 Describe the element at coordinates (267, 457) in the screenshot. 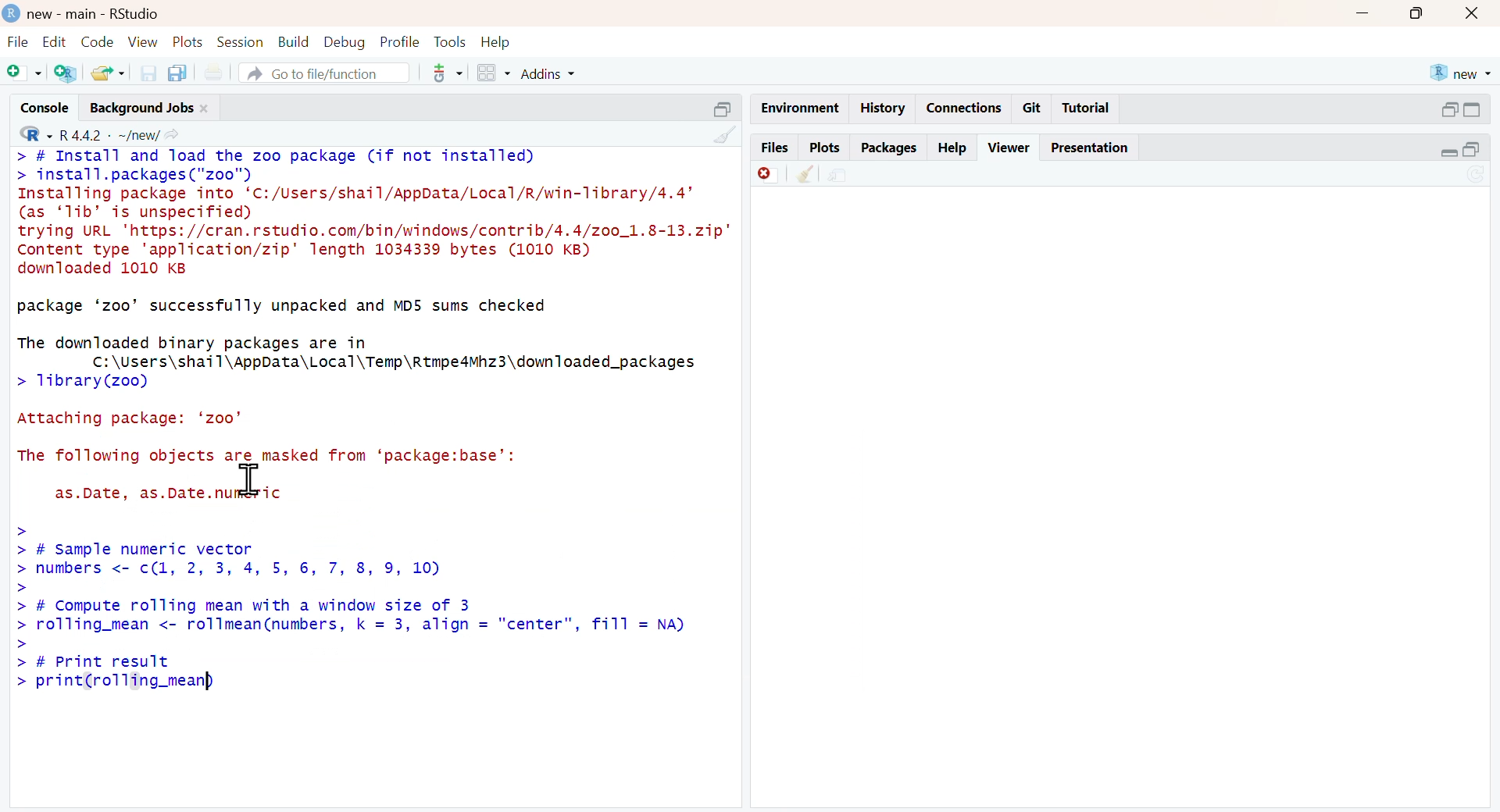

I see `The following objects are masked from ‘package:base’:` at that location.